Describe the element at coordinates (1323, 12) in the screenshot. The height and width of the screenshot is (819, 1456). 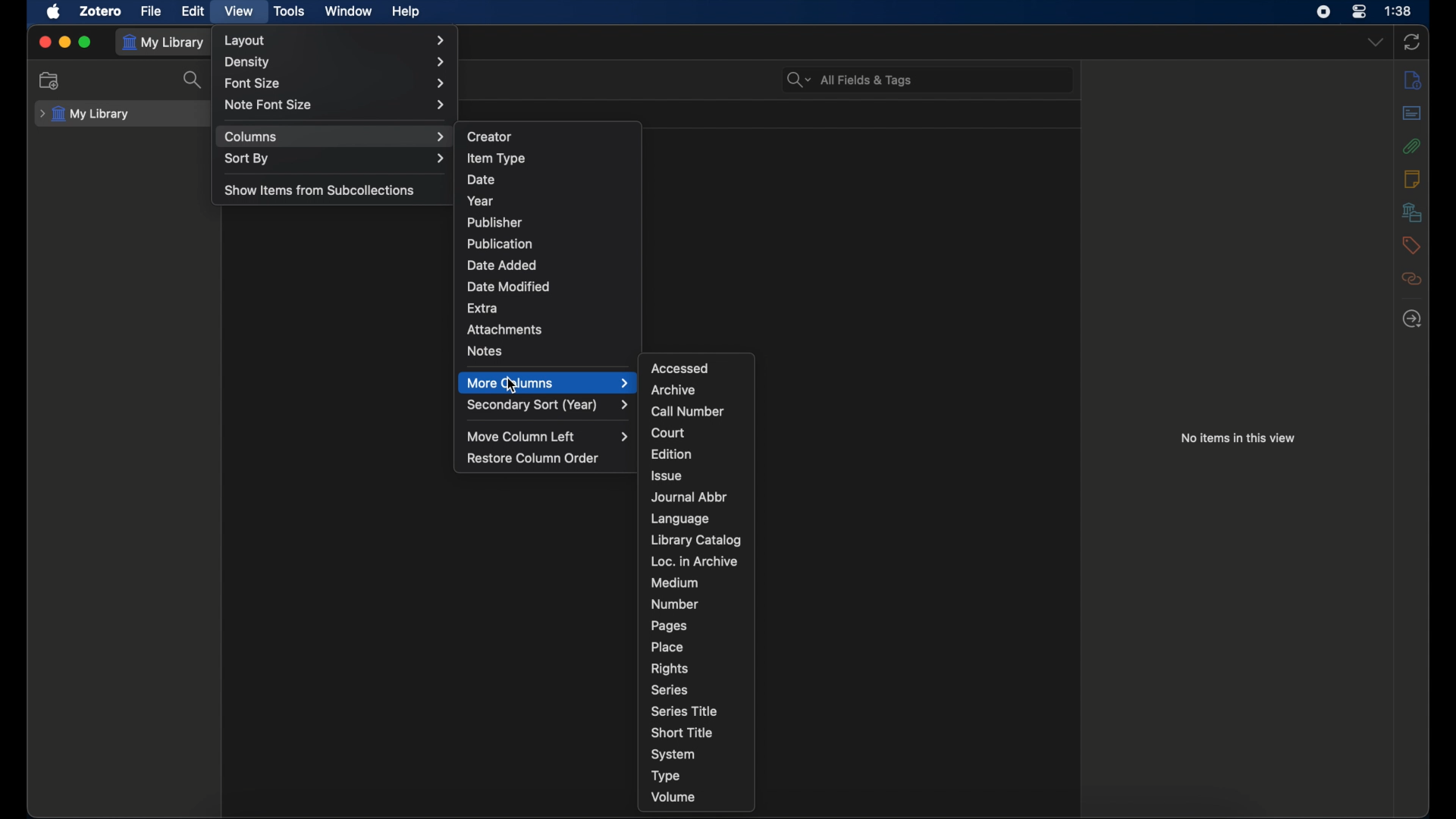
I see `screen recorder` at that location.